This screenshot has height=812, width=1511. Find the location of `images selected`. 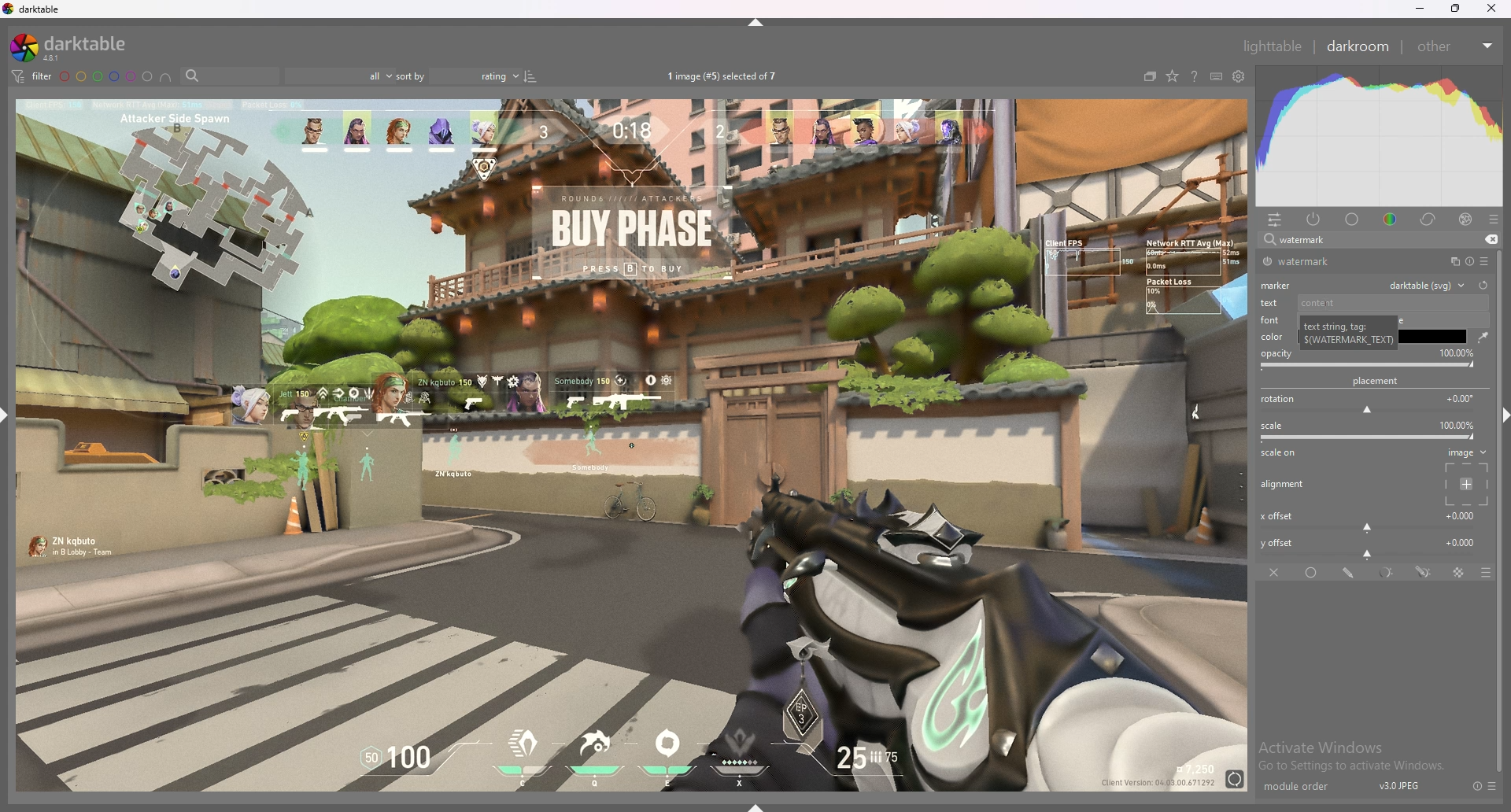

images selected is located at coordinates (725, 76).